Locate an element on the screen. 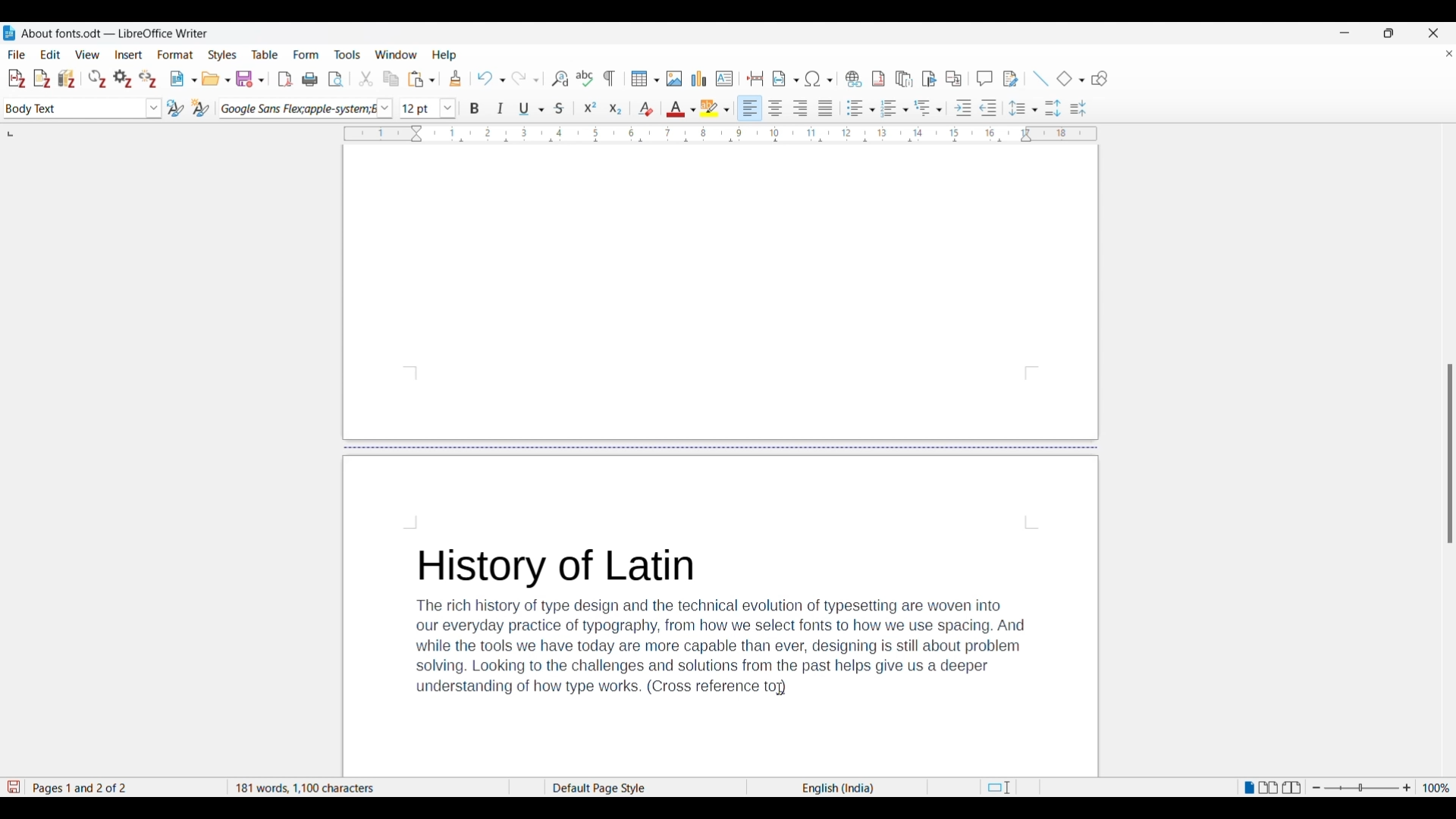 Image resolution: width=1456 pixels, height=819 pixels. Font size options is located at coordinates (448, 108).